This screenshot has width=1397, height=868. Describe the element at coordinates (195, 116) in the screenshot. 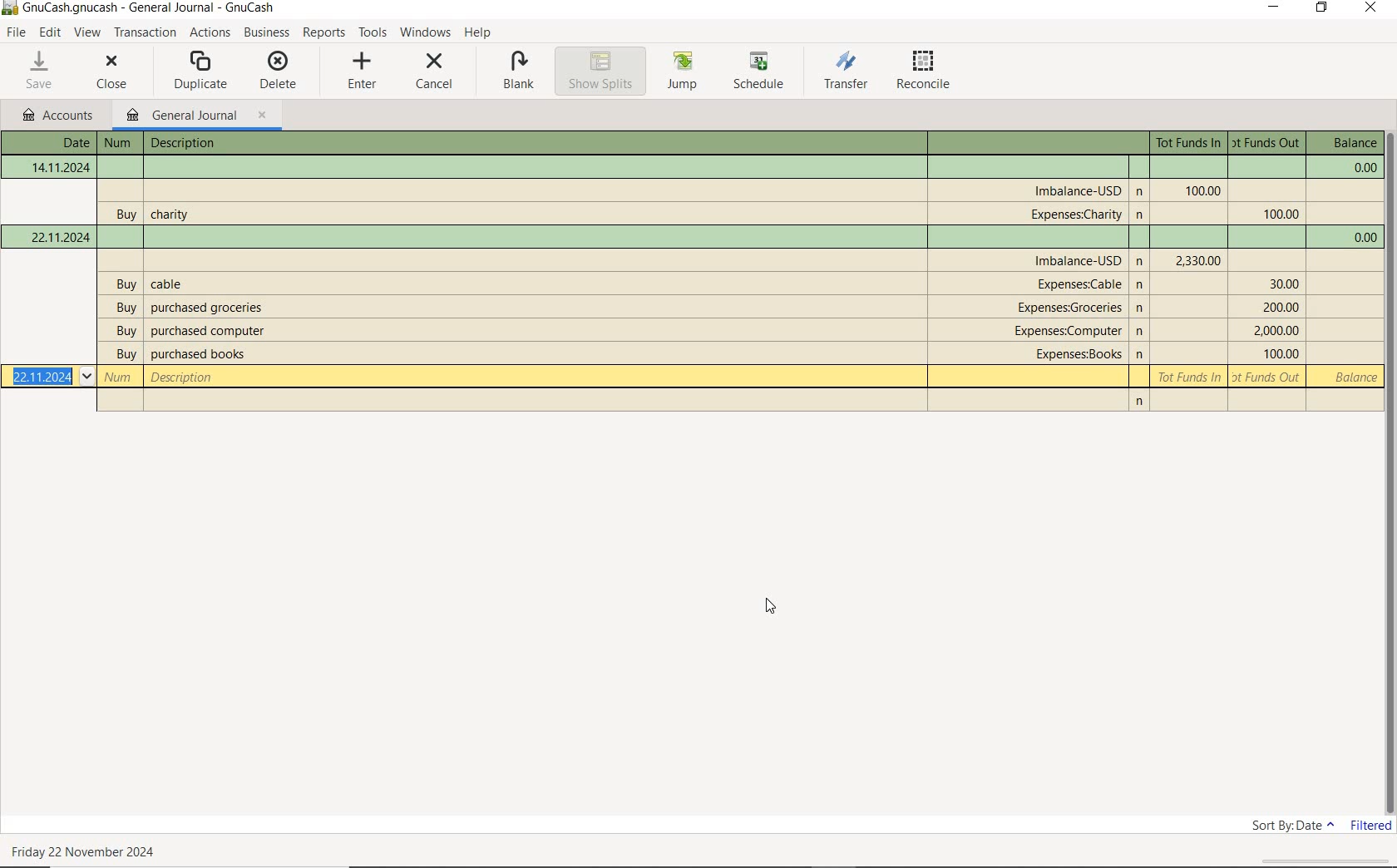

I see `GENERAL JOURNAL` at that location.